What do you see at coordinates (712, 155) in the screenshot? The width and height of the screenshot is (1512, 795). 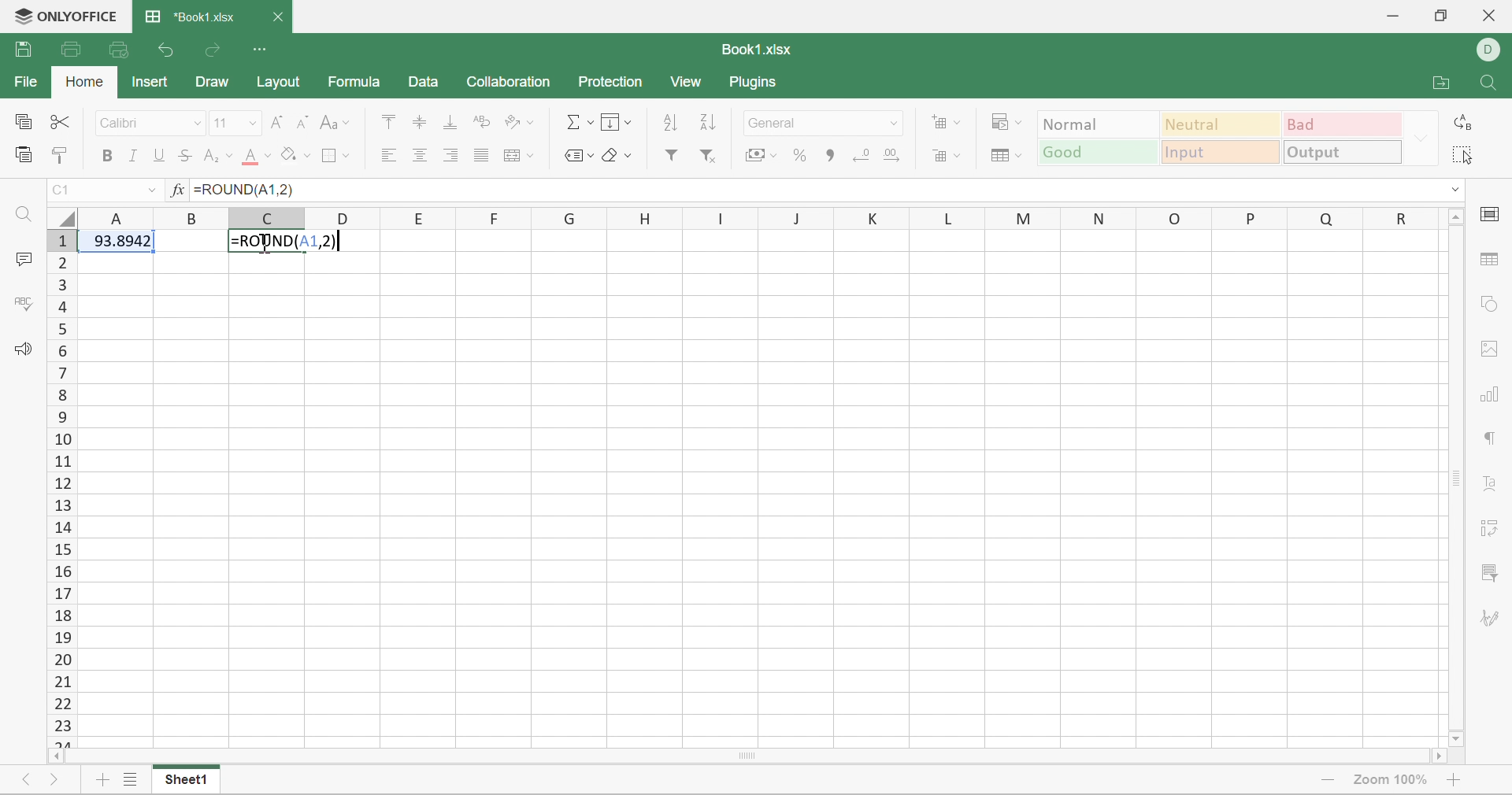 I see `Remove filter` at bounding box center [712, 155].